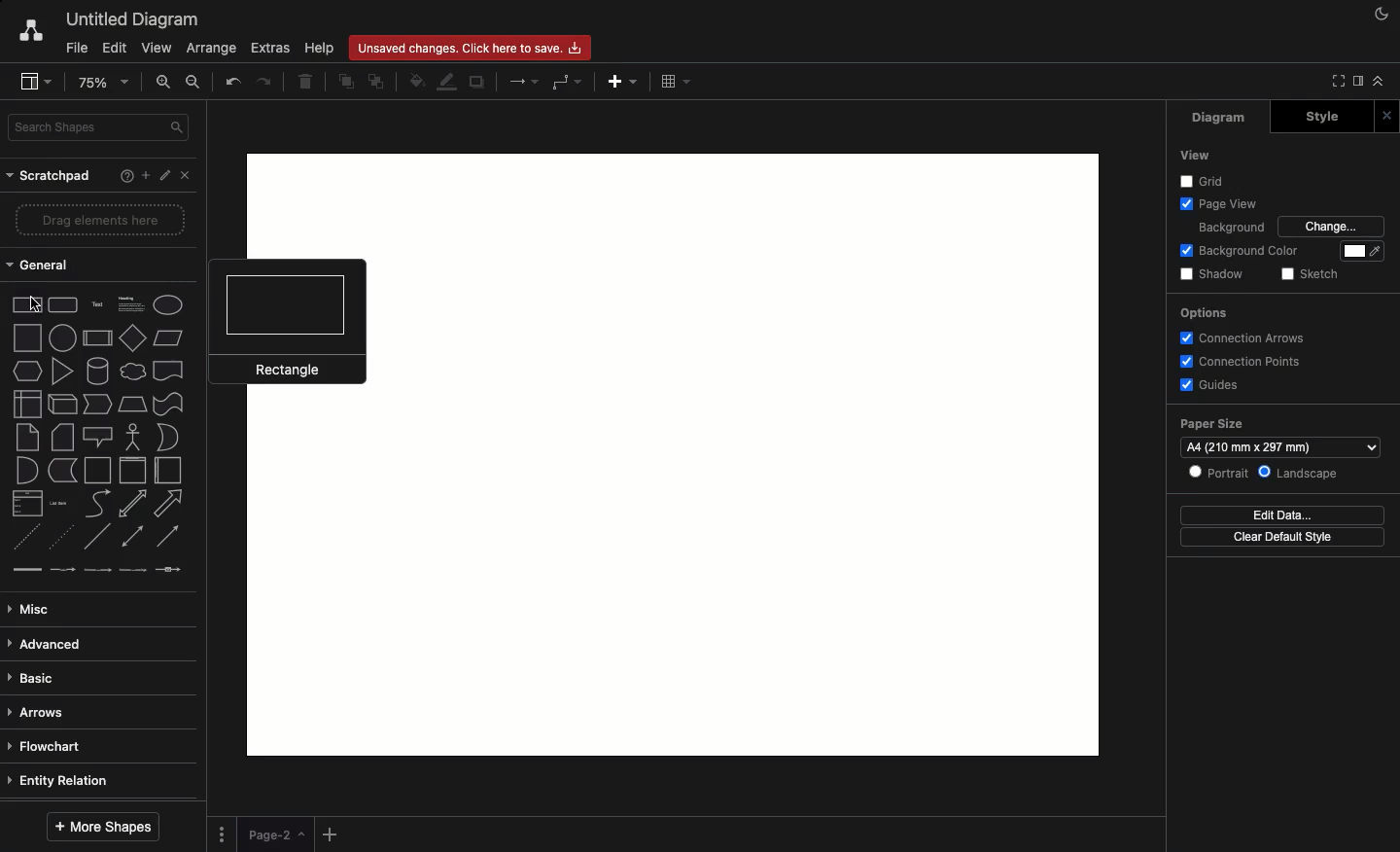 The width and height of the screenshot is (1400, 852). Describe the element at coordinates (63, 337) in the screenshot. I see `circle` at that location.